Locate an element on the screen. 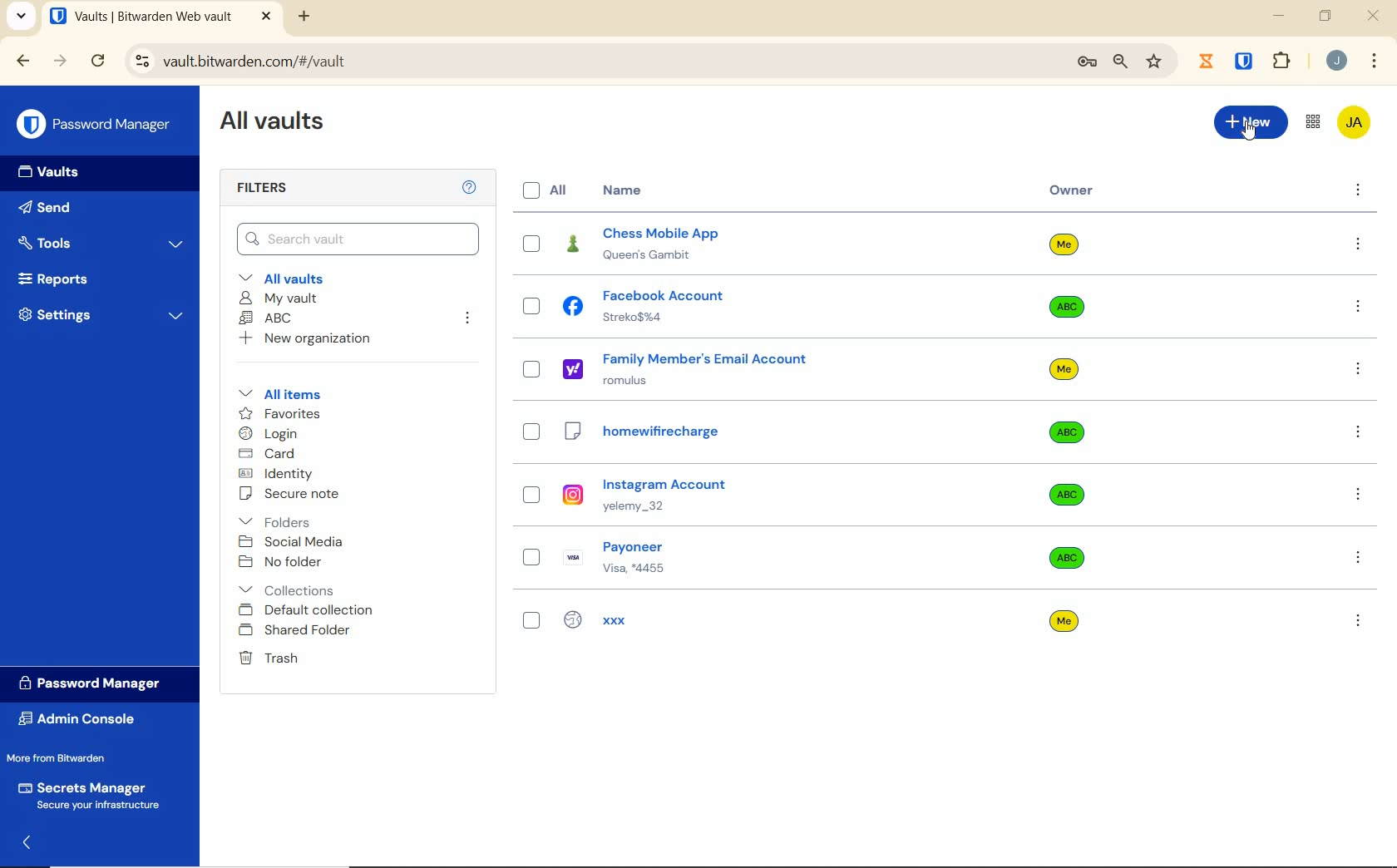  address bar is located at coordinates (589, 61).